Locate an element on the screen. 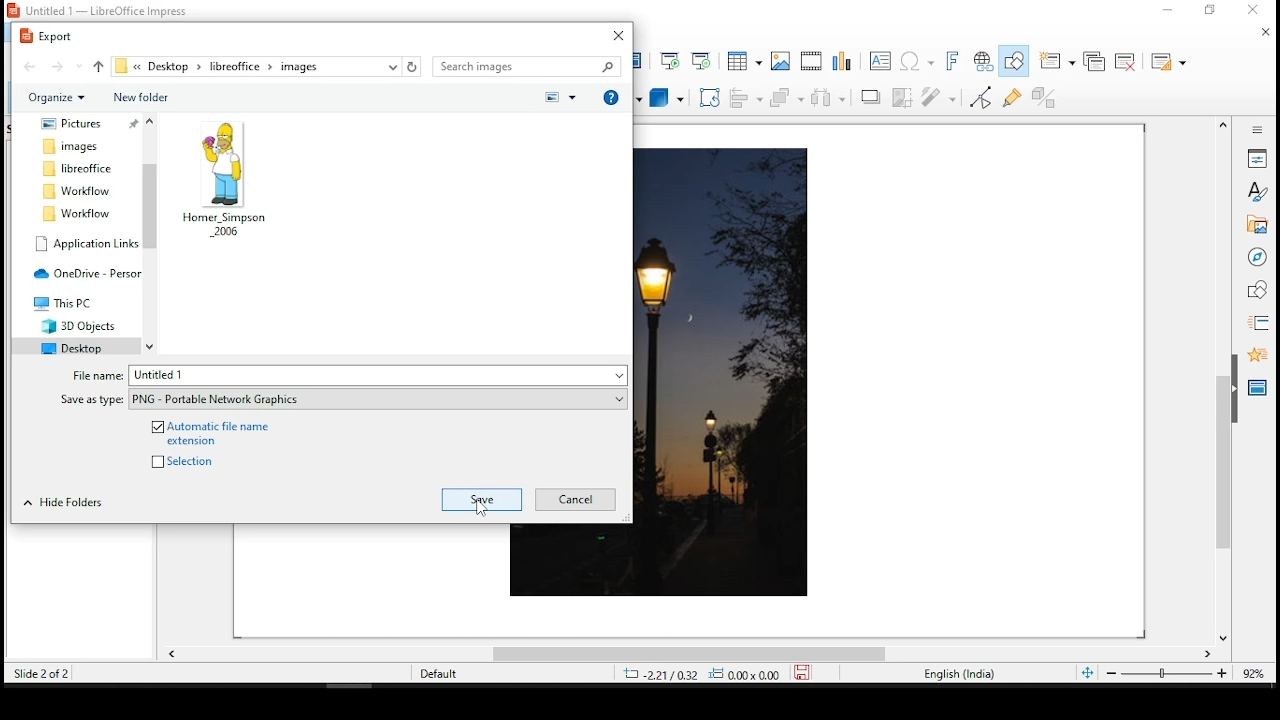 The height and width of the screenshot is (720, 1280). styles is located at coordinates (1255, 192).